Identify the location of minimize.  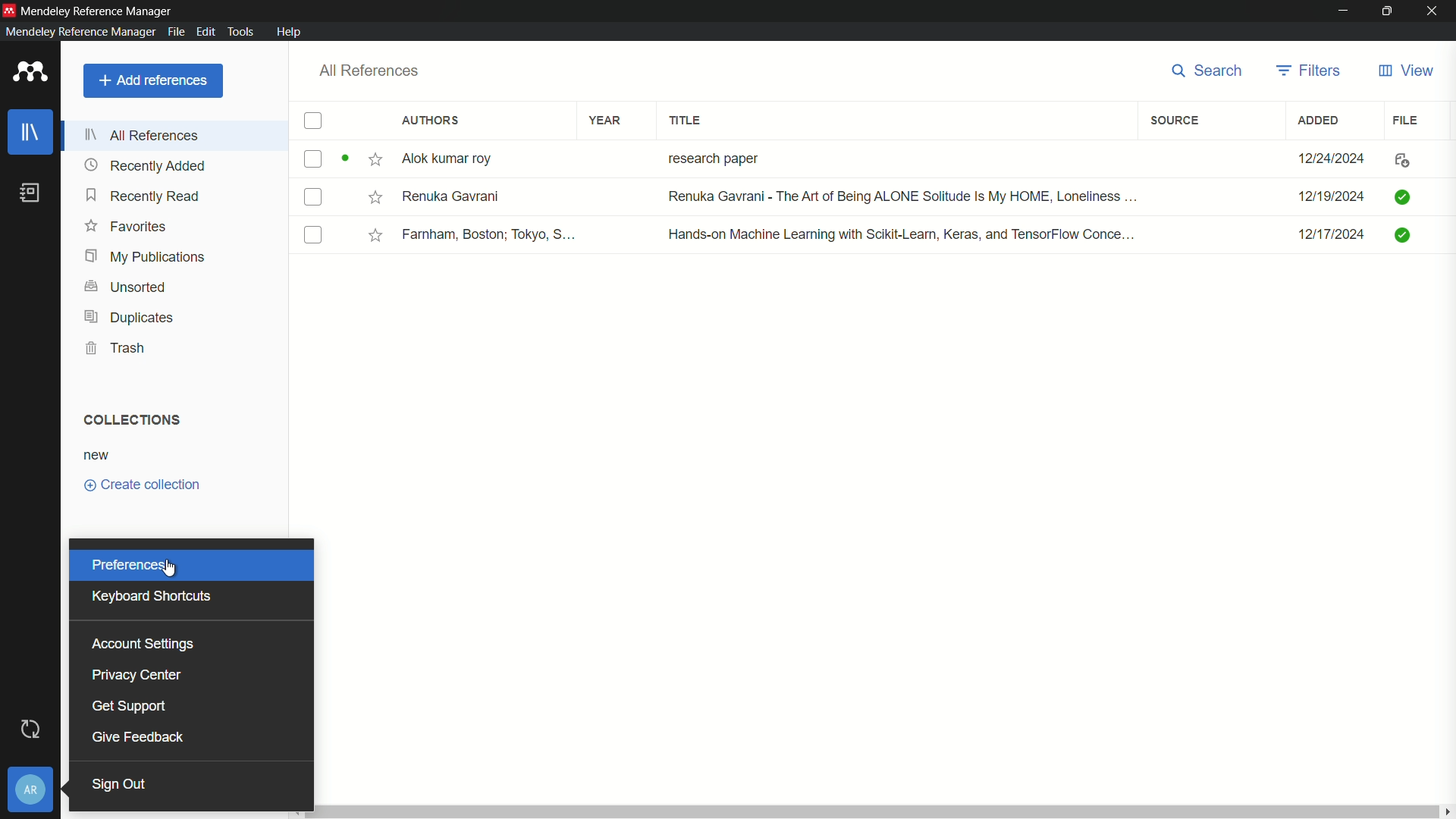
(1341, 11).